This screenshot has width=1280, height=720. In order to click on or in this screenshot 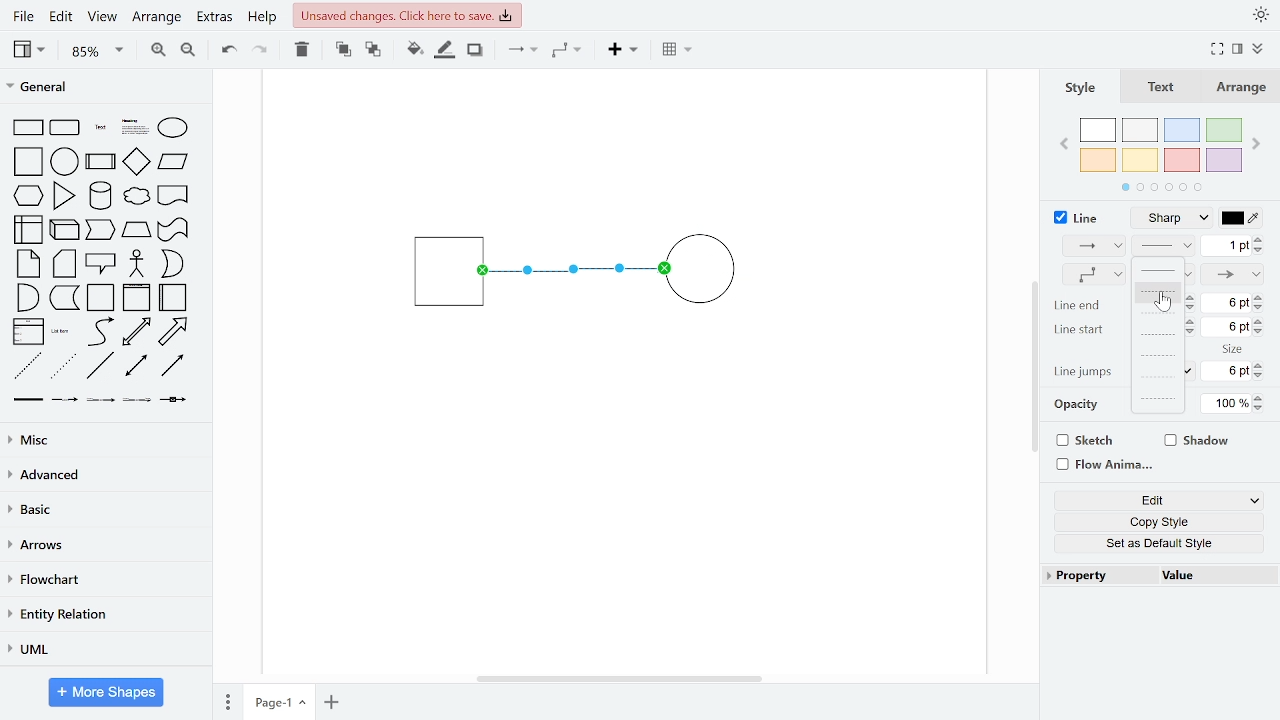, I will do `click(172, 264)`.